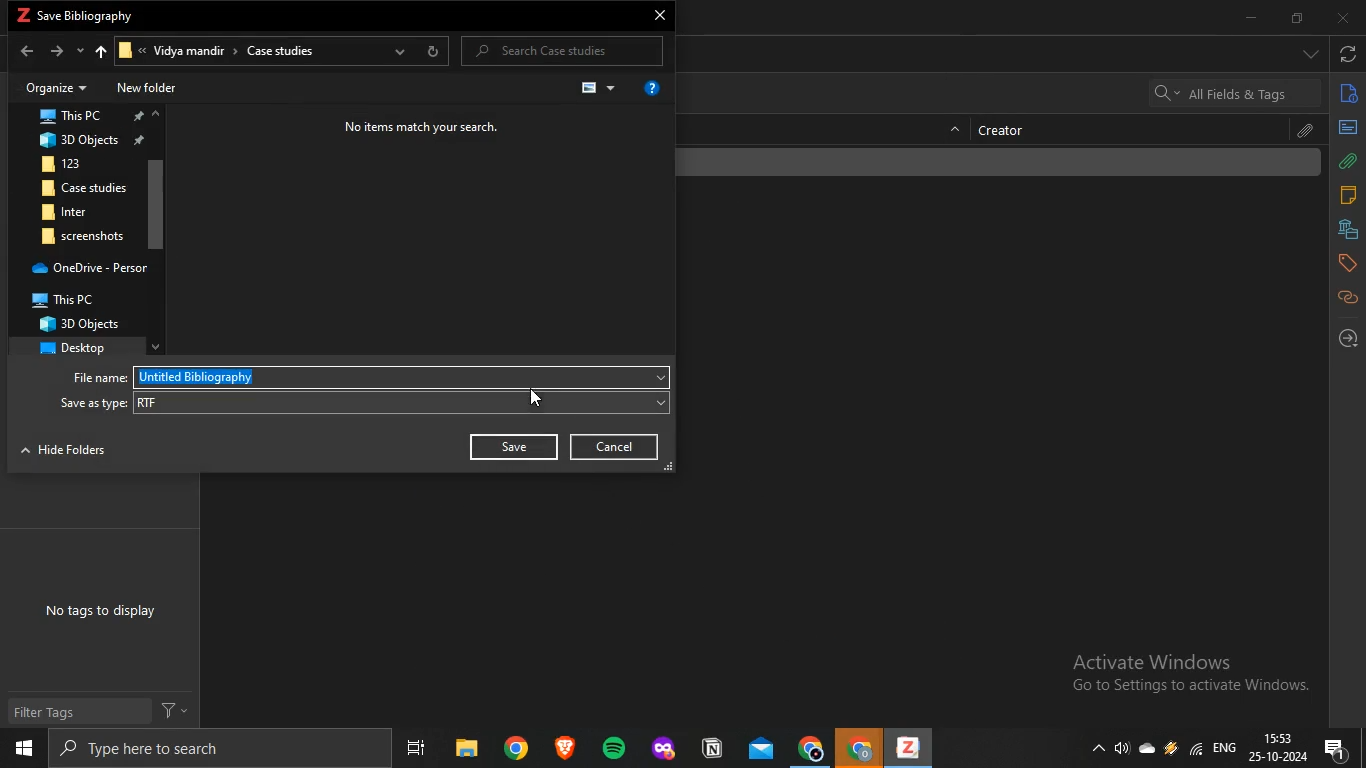 The image size is (1366, 768). What do you see at coordinates (1227, 745) in the screenshot?
I see `eng` at bounding box center [1227, 745].